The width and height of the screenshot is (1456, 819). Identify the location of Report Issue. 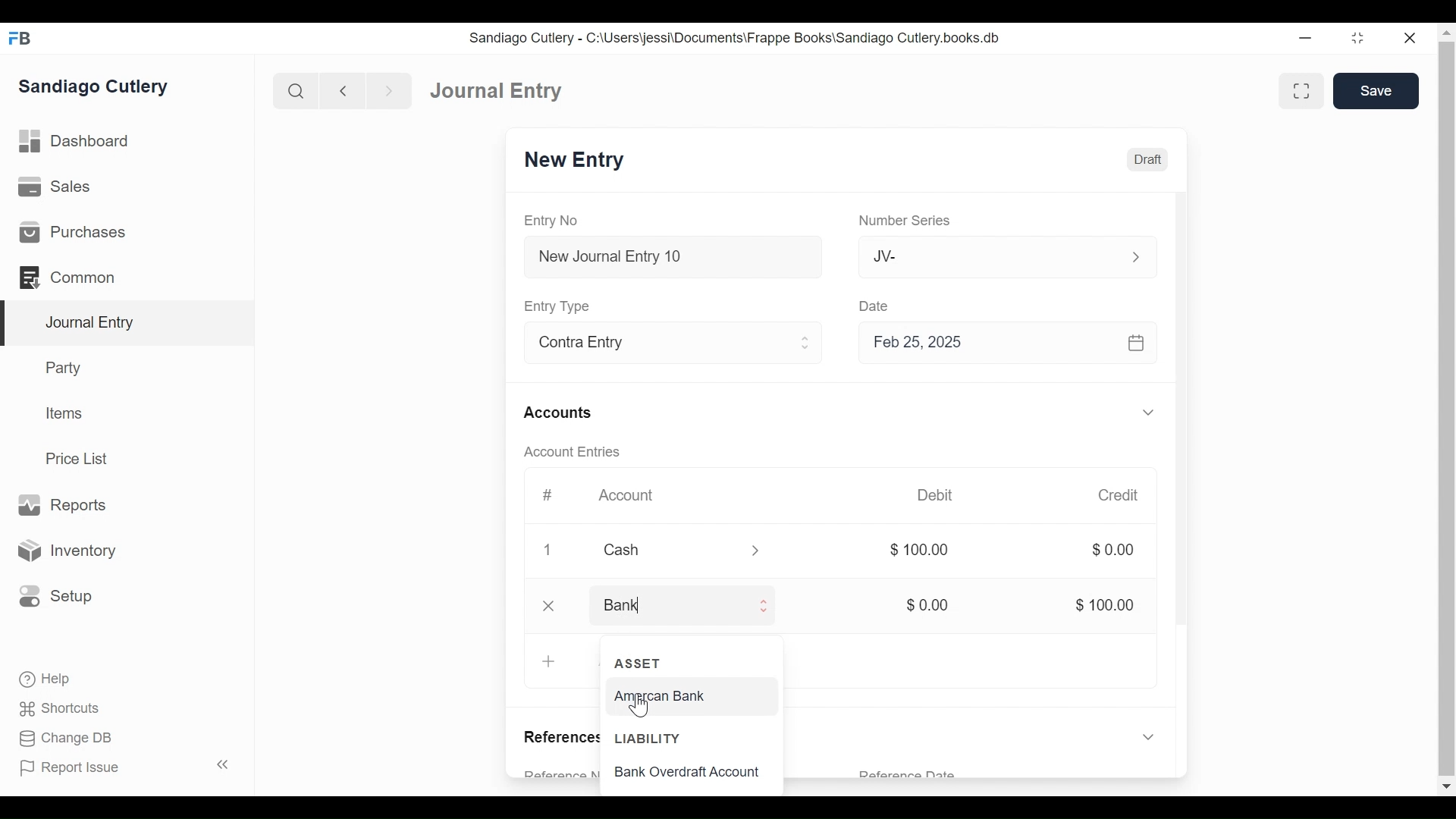
(124, 767).